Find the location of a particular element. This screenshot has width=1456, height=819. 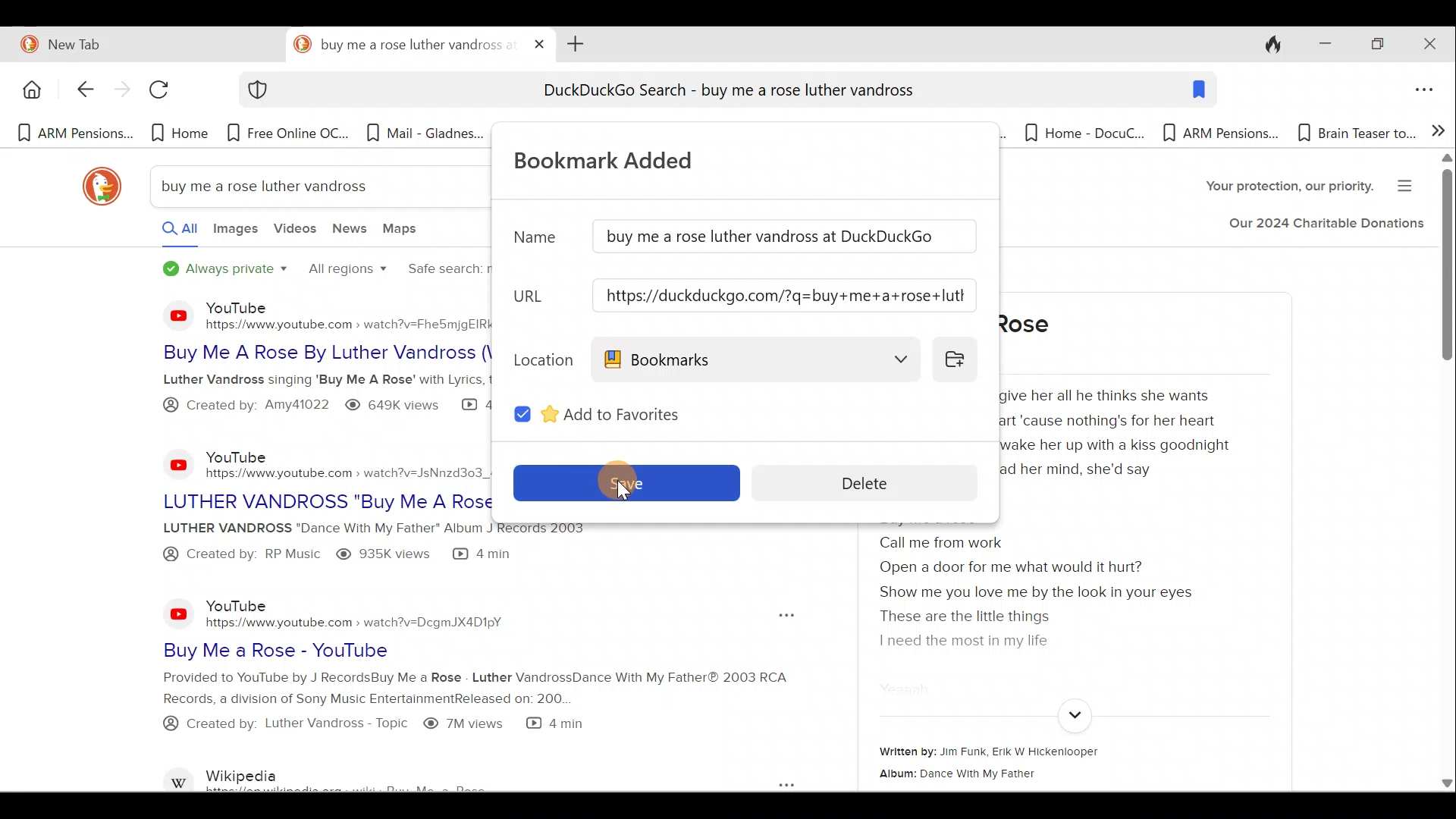

Name is located at coordinates (534, 243).